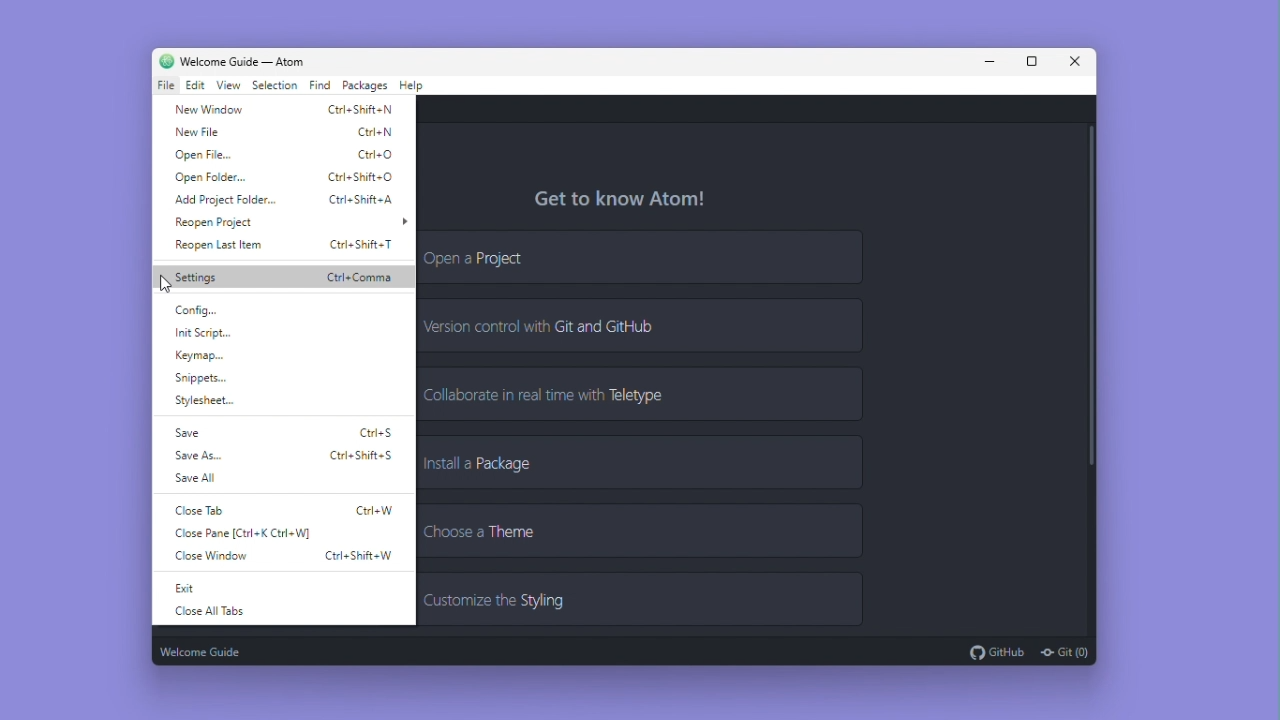 The image size is (1280, 720). Describe the element at coordinates (282, 246) in the screenshot. I see `Reopen last item Ctrl+Shift+T` at that location.